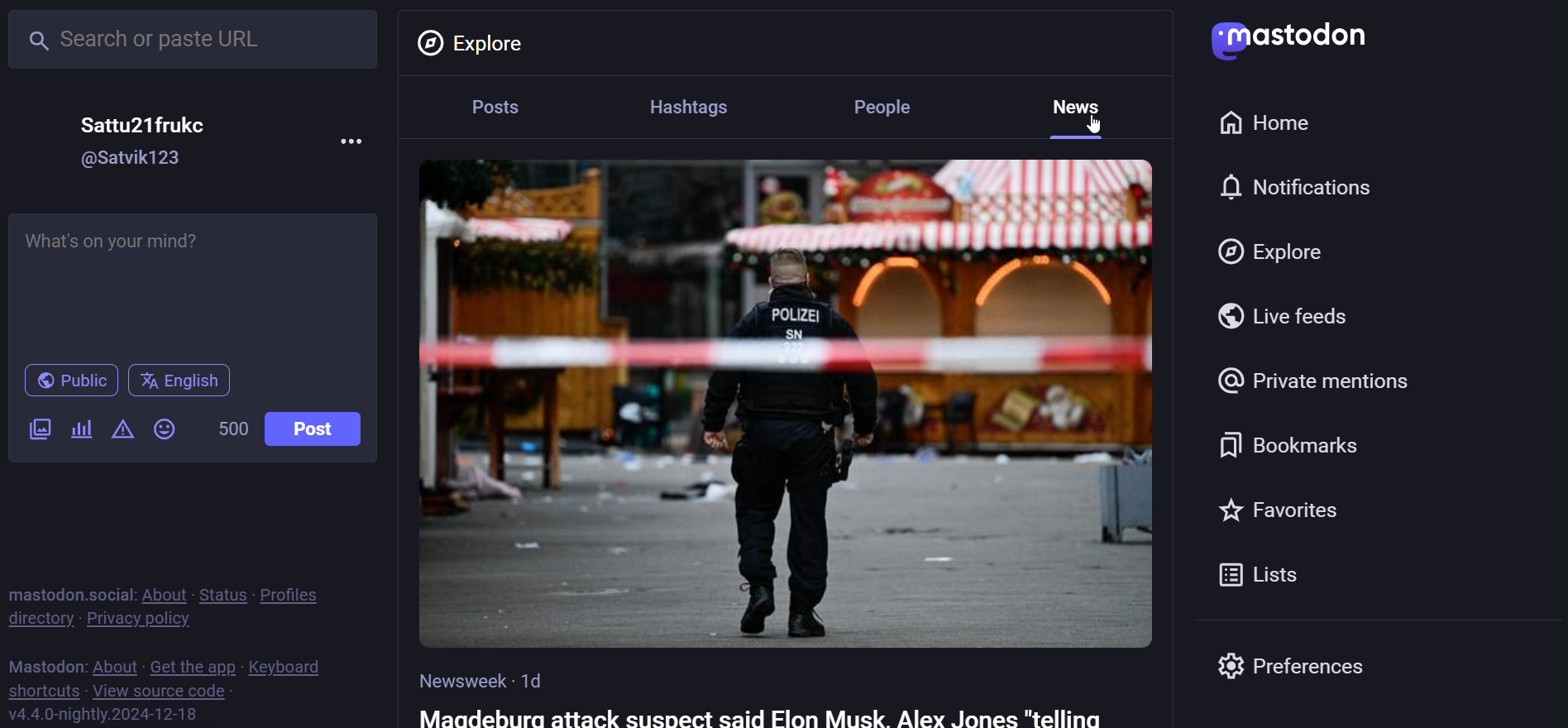  What do you see at coordinates (194, 40) in the screenshot?
I see `search or paste URL` at bounding box center [194, 40].